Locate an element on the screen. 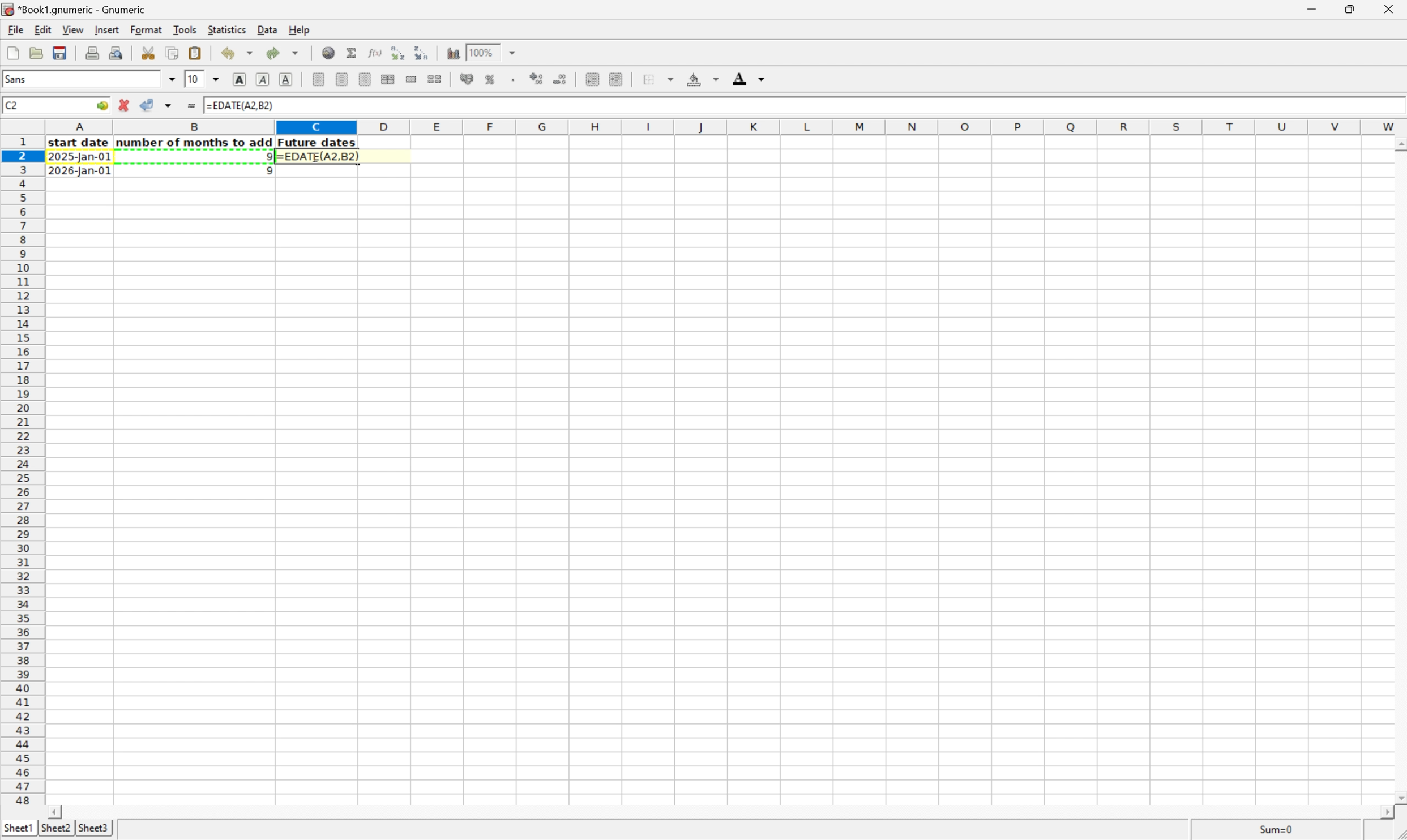 This screenshot has width=1407, height=840. Undo is located at coordinates (236, 53).